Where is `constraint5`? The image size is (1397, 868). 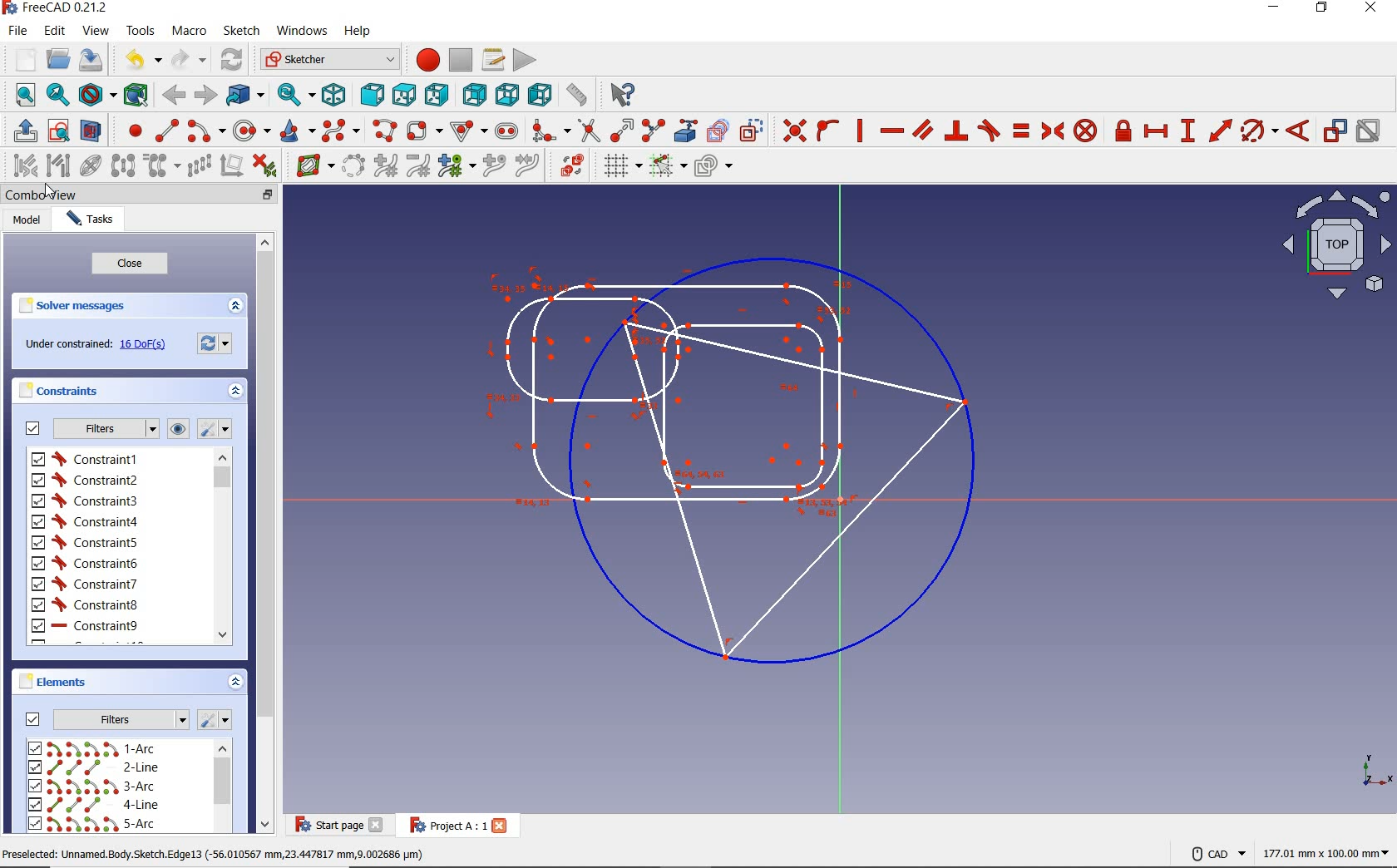
constraint5 is located at coordinates (84, 542).